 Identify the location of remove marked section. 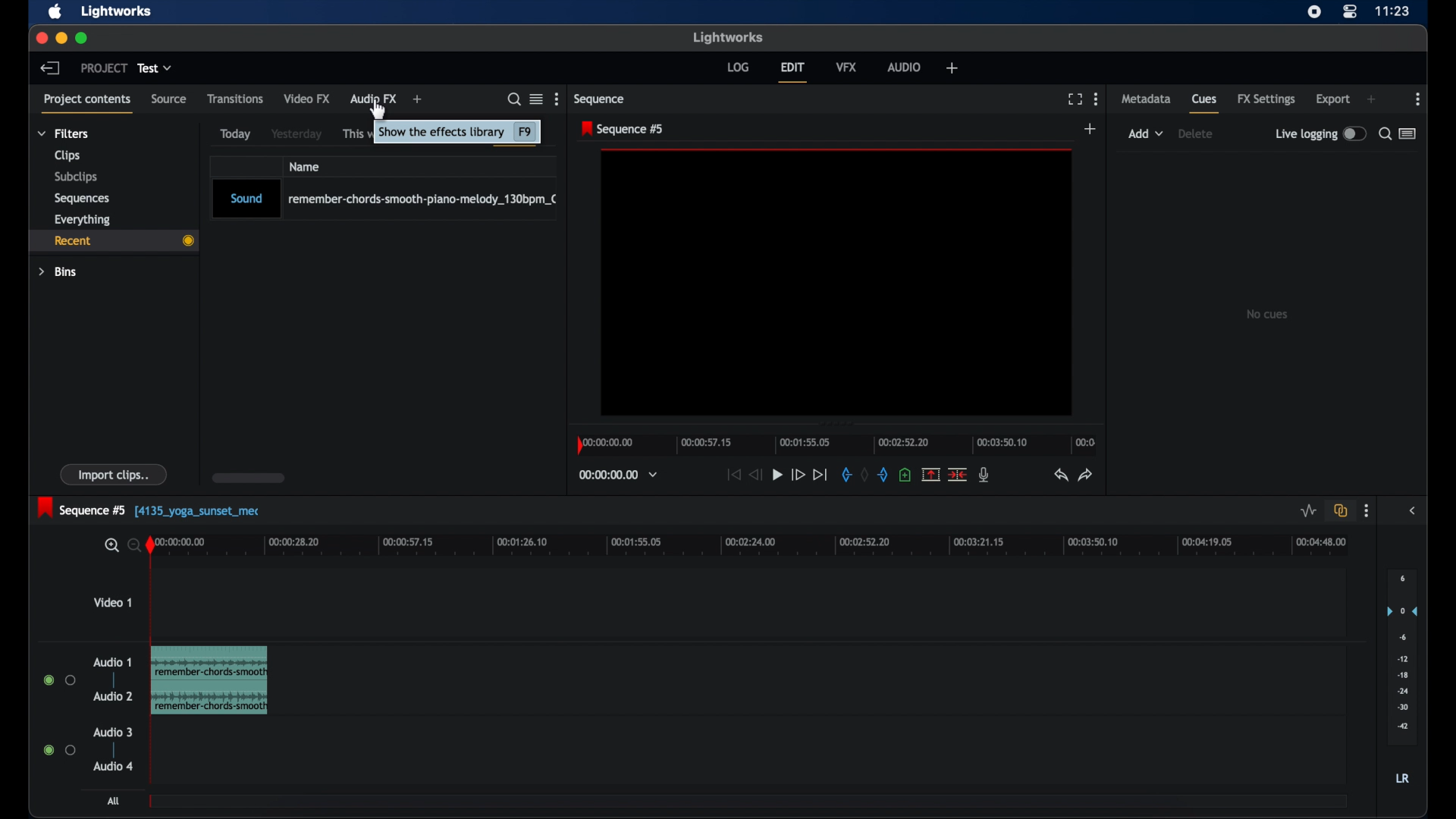
(930, 474).